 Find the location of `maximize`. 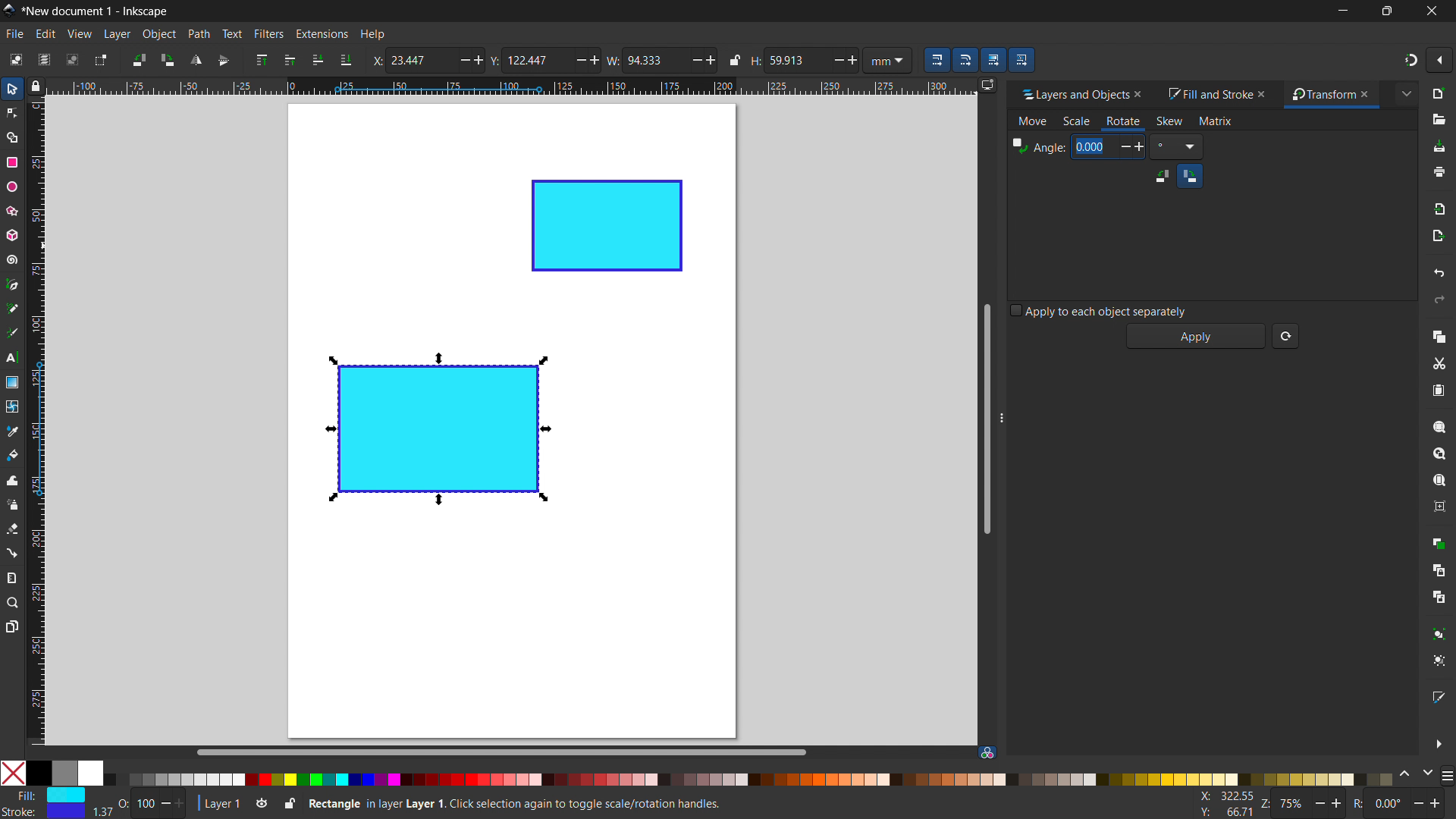

maximize is located at coordinates (1384, 11).